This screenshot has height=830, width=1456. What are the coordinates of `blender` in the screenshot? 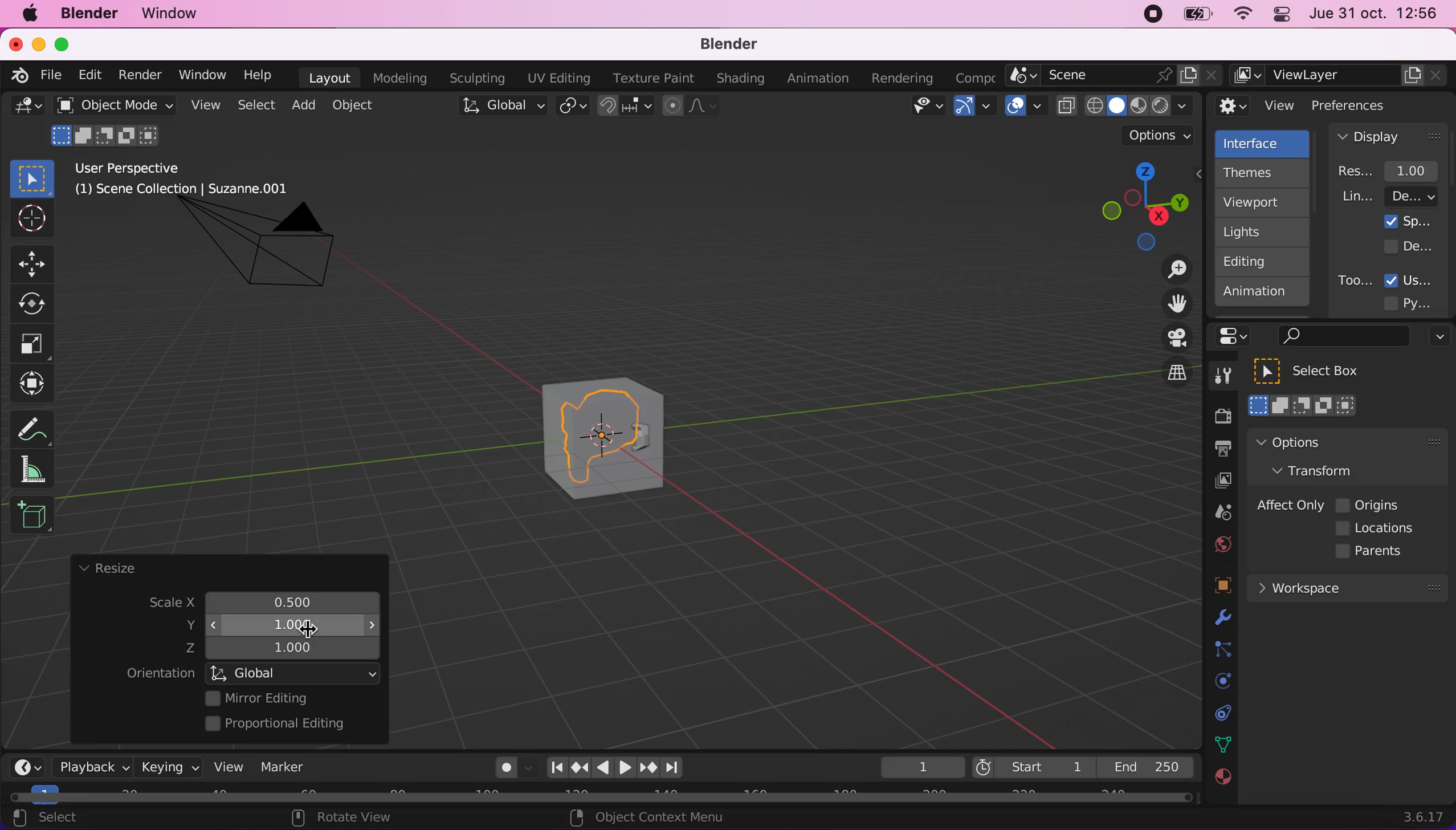 It's located at (88, 14).